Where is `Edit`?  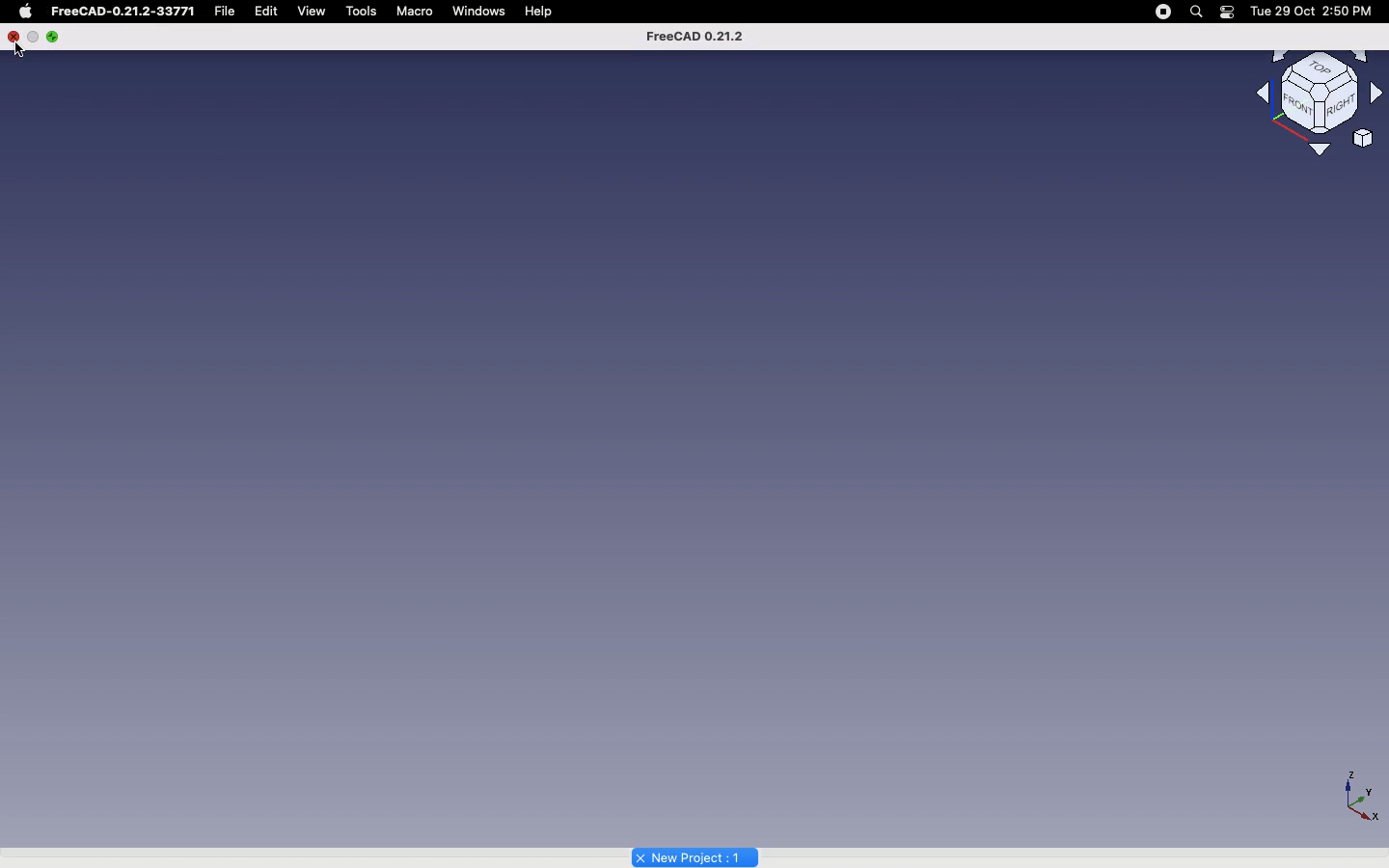
Edit is located at coordinates (271, 11).